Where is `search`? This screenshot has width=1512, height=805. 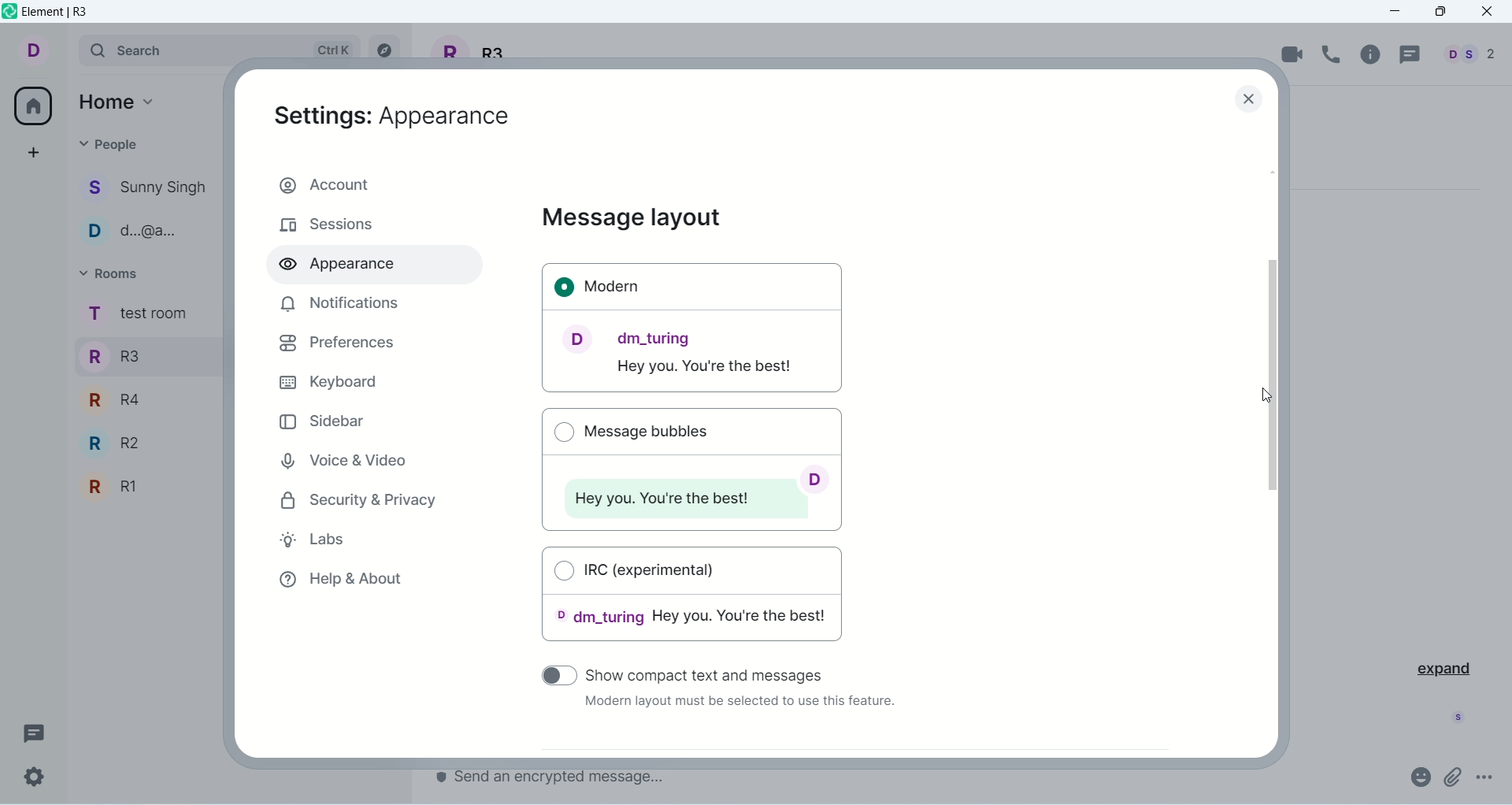
search is located at coordinates (221, 50).